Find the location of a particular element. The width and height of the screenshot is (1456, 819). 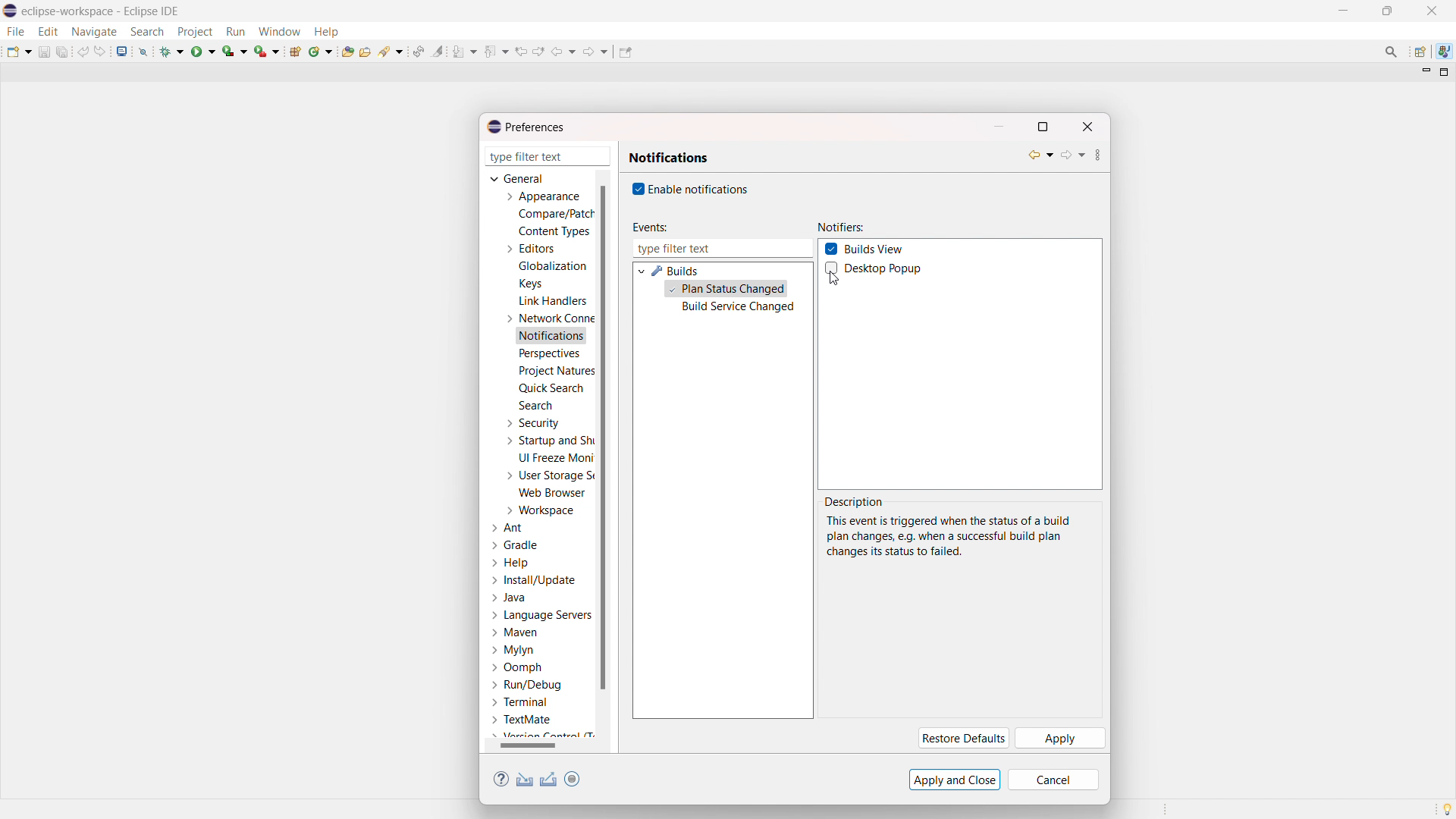

preferences dialogbox is located at coordinates (525, 127).